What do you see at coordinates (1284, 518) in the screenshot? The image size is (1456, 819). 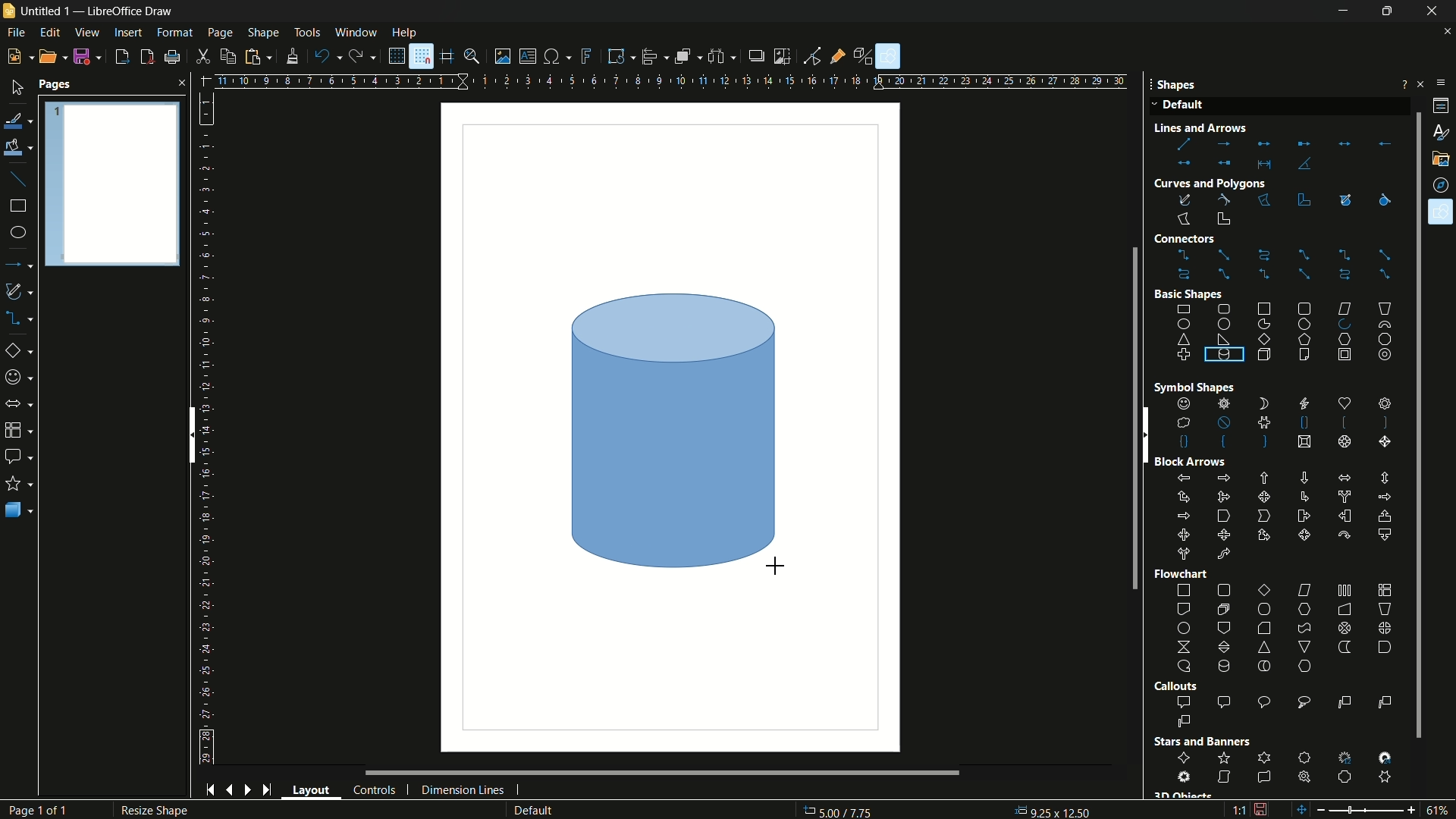 I see `block arrows` at bounding box center [1284, 518].